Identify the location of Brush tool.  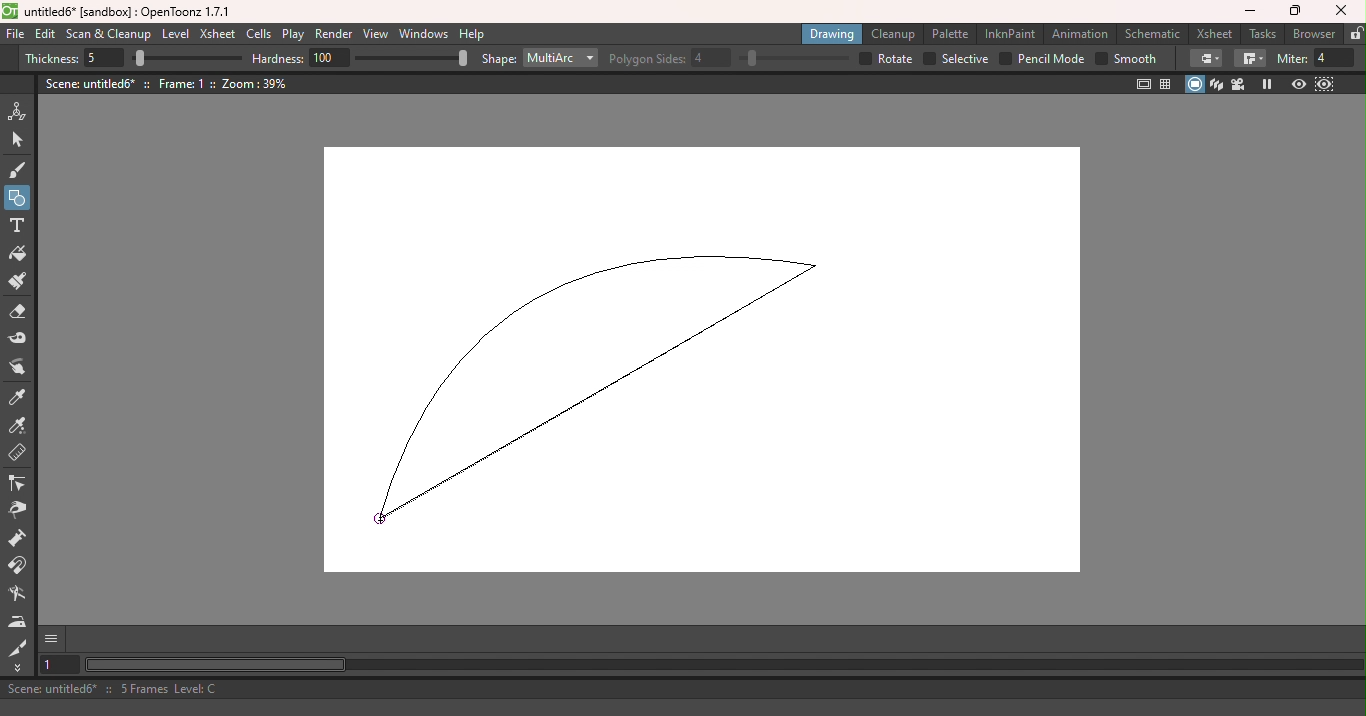
(19, 170).